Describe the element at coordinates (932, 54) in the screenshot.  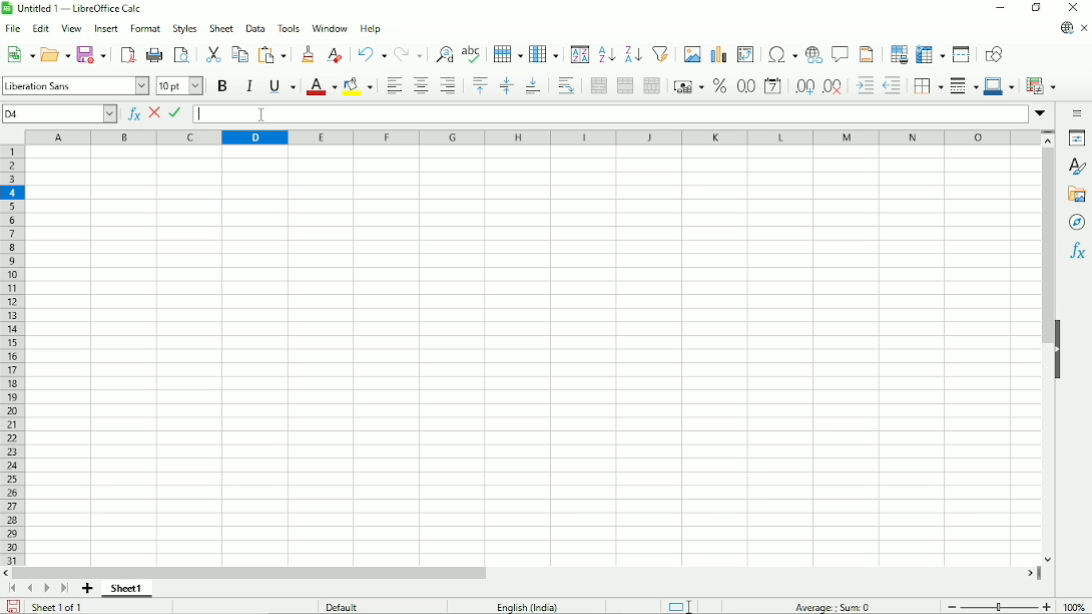
I see `Freeze rows and columns` at that location.